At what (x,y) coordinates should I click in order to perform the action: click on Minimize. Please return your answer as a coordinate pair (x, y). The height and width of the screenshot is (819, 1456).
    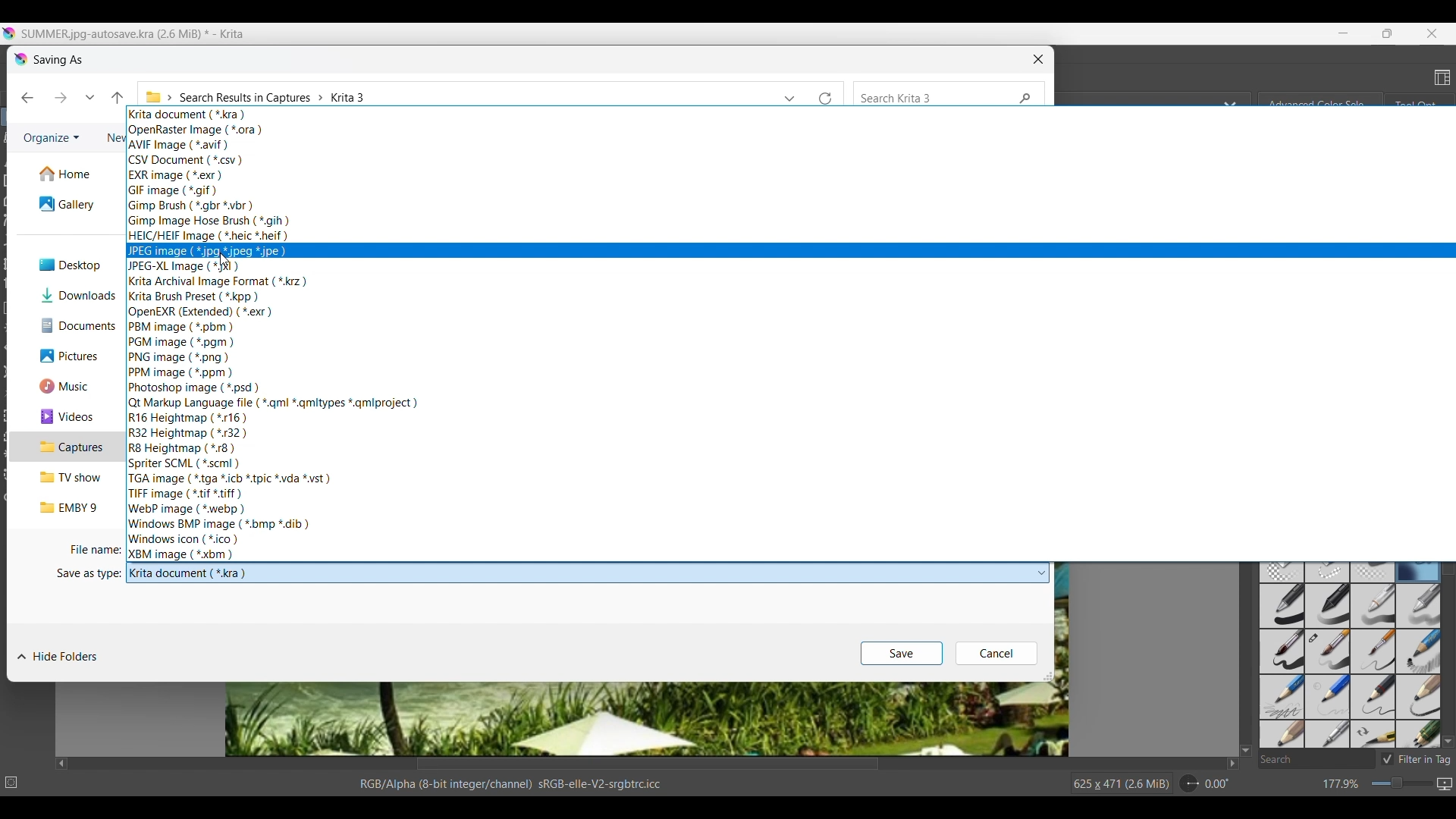
    Looking at the image, I should click on (1344, 33).